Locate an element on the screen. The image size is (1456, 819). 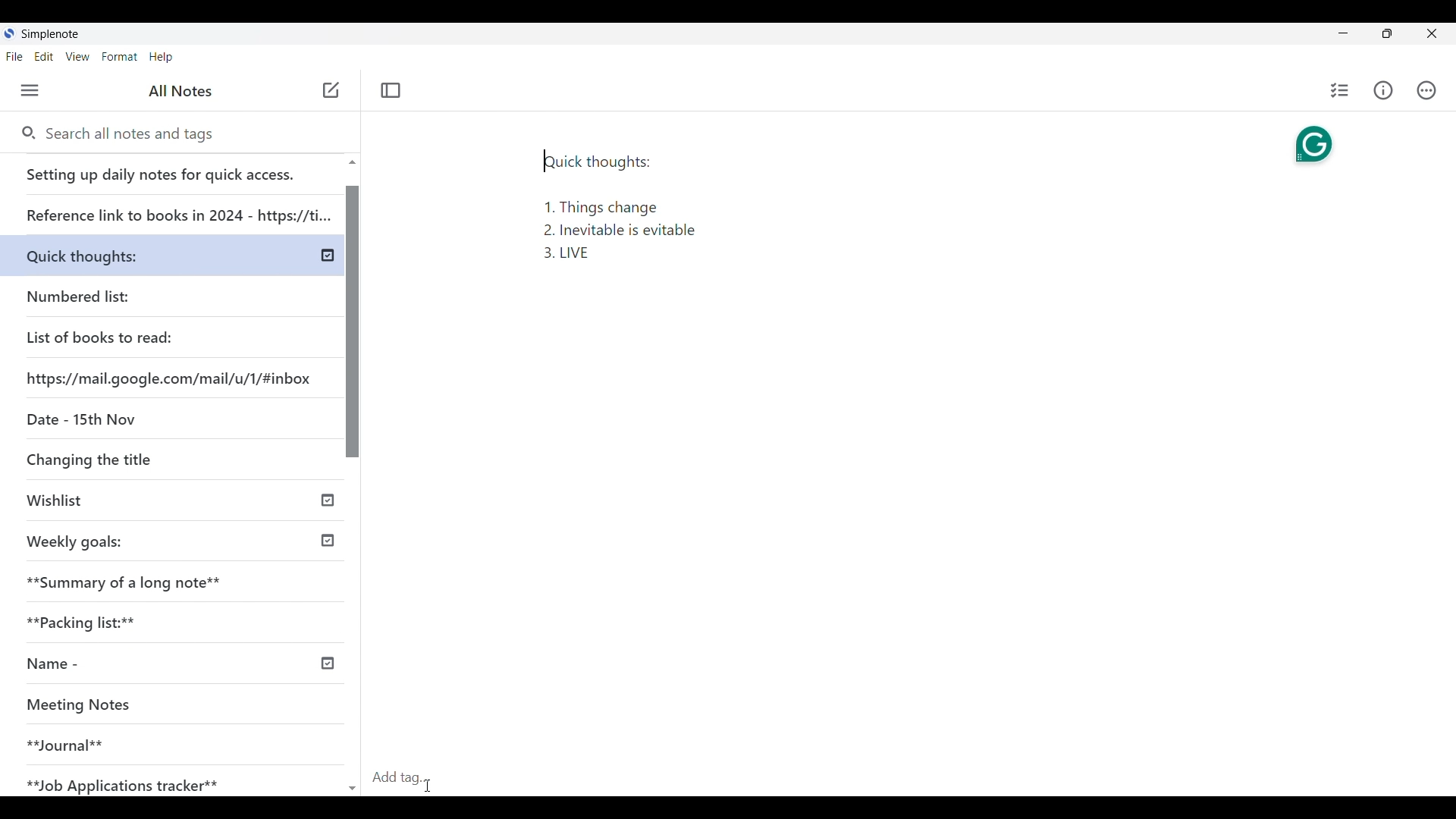
View menu is located at coordinates (77, 57).